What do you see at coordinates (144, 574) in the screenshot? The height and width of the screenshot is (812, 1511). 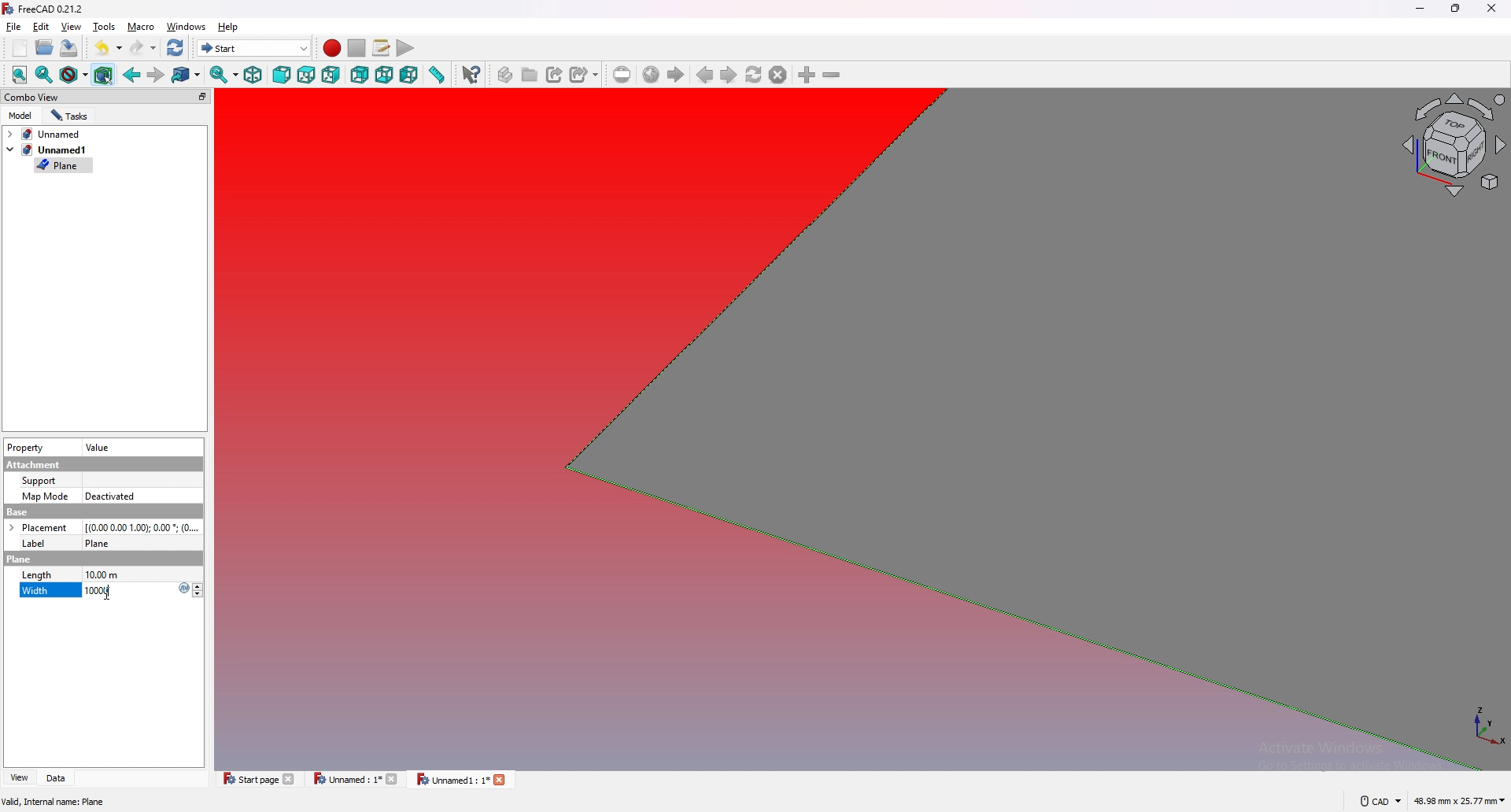 I see `10.00 m` at bounding box center [144, 574].